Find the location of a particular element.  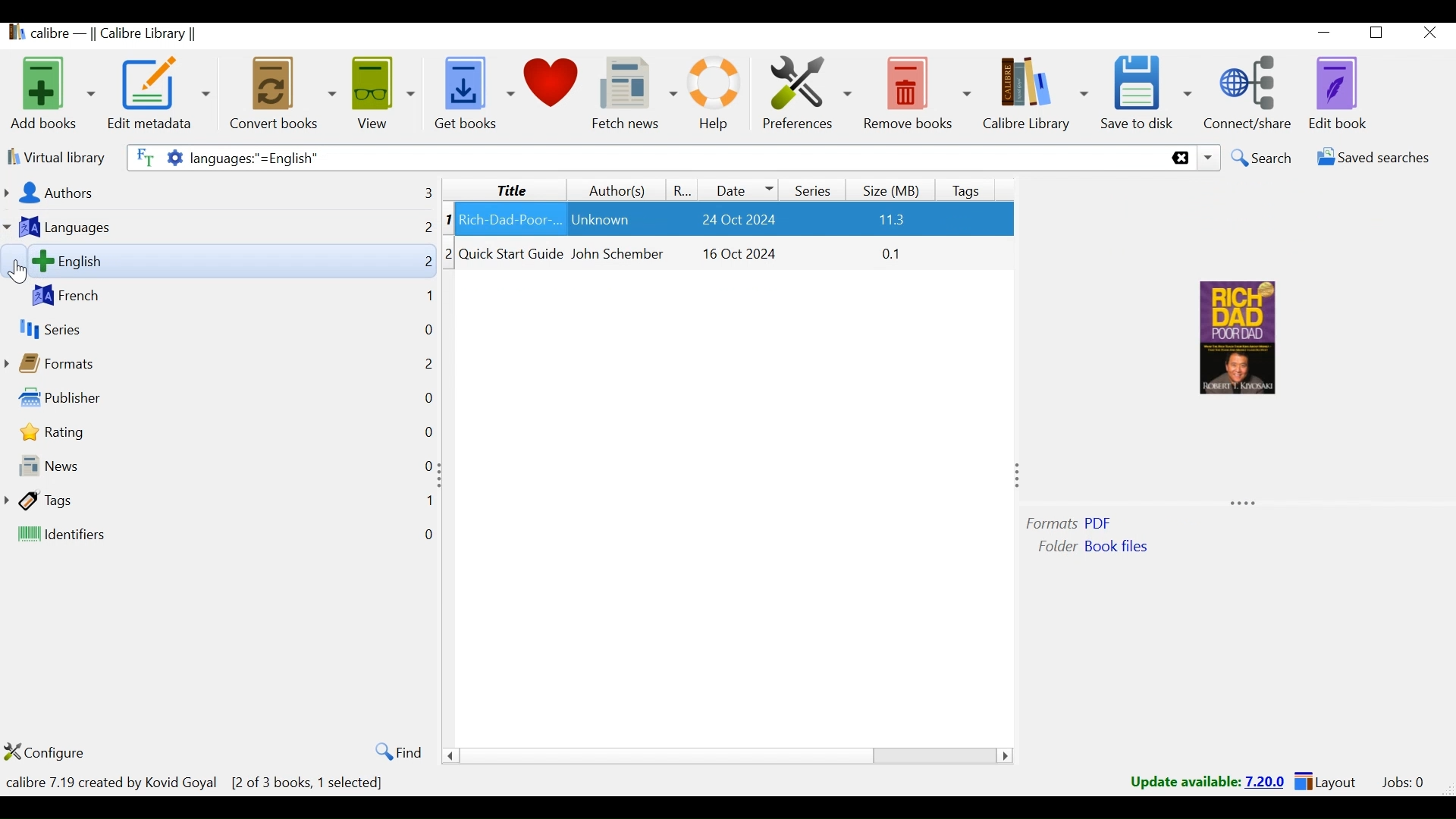

2 is located at coordinates (420, 362).